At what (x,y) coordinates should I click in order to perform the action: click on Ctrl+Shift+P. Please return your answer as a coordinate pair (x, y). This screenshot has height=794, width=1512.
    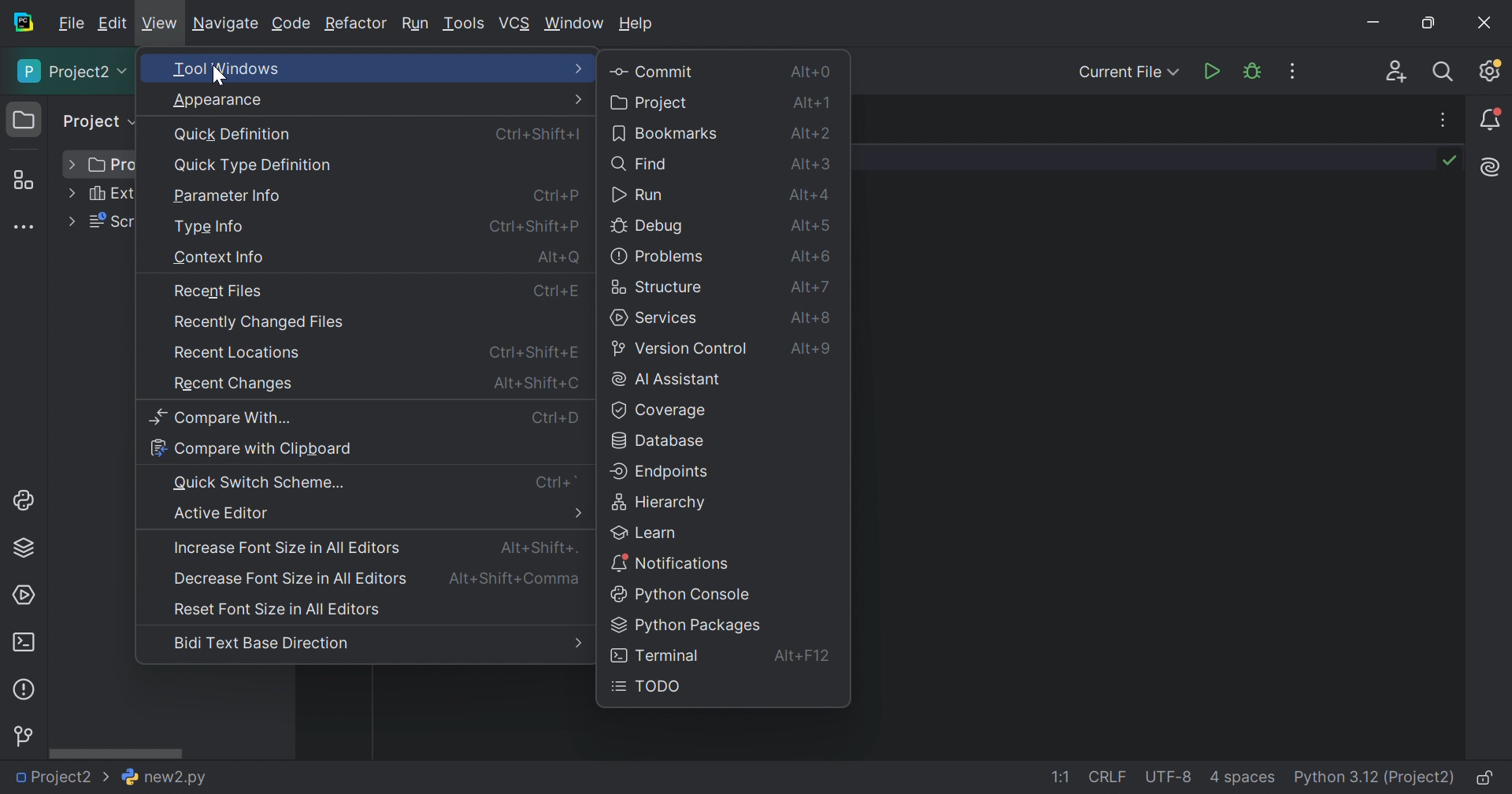
    Looking at the image, I should click on (532, 228).